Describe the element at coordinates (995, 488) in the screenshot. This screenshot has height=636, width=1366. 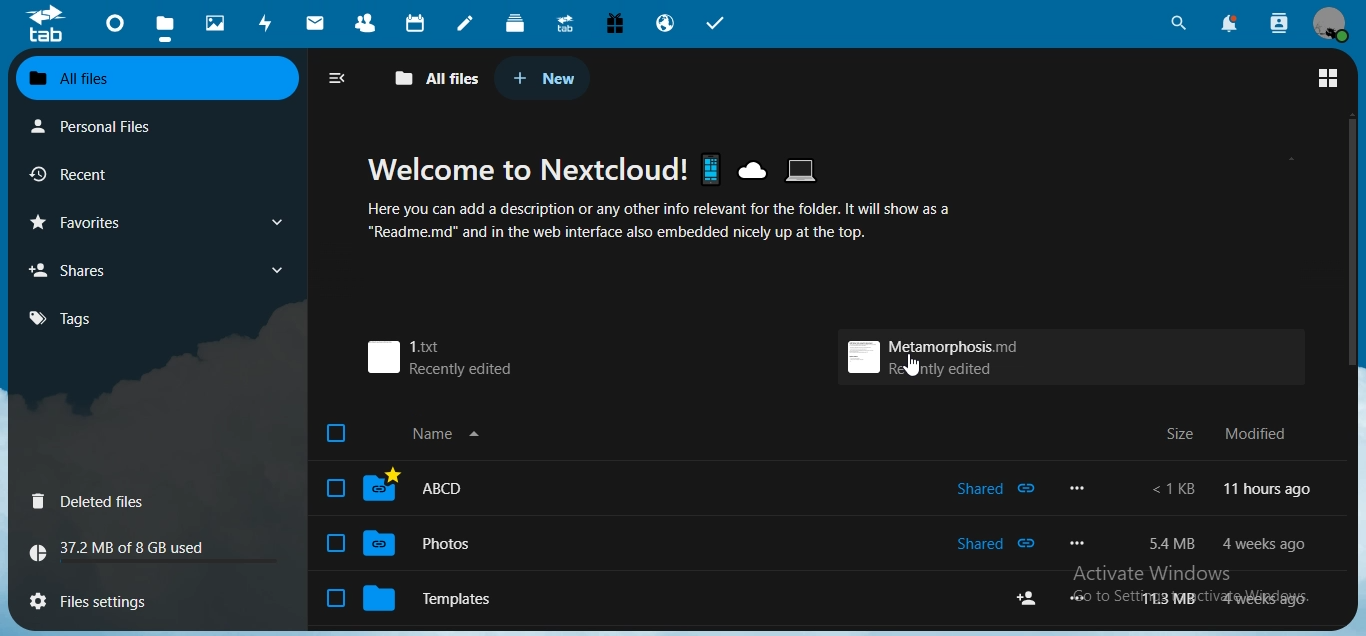
I see `shared` at that location.